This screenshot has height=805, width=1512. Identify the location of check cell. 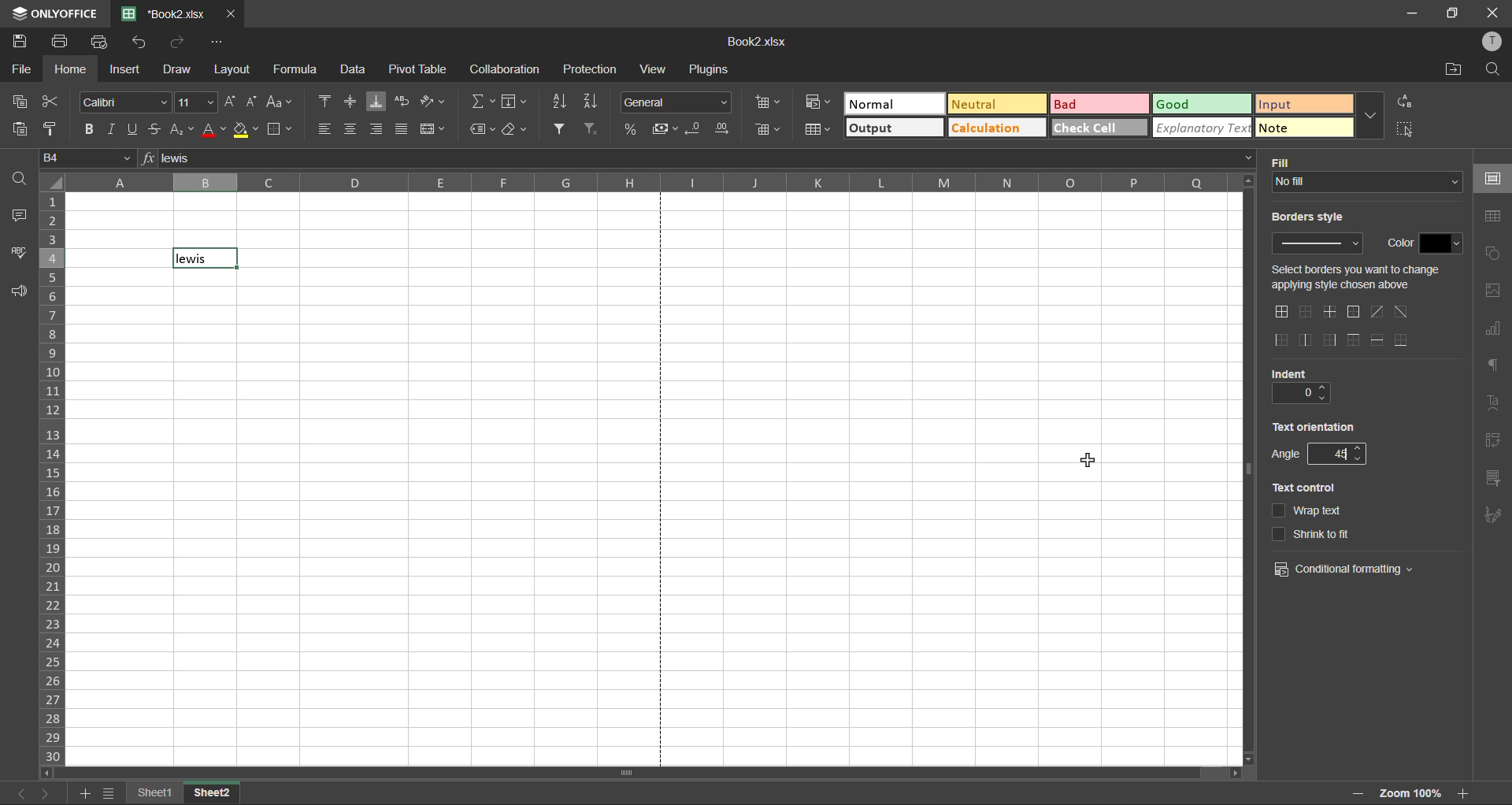
(1097, 127).